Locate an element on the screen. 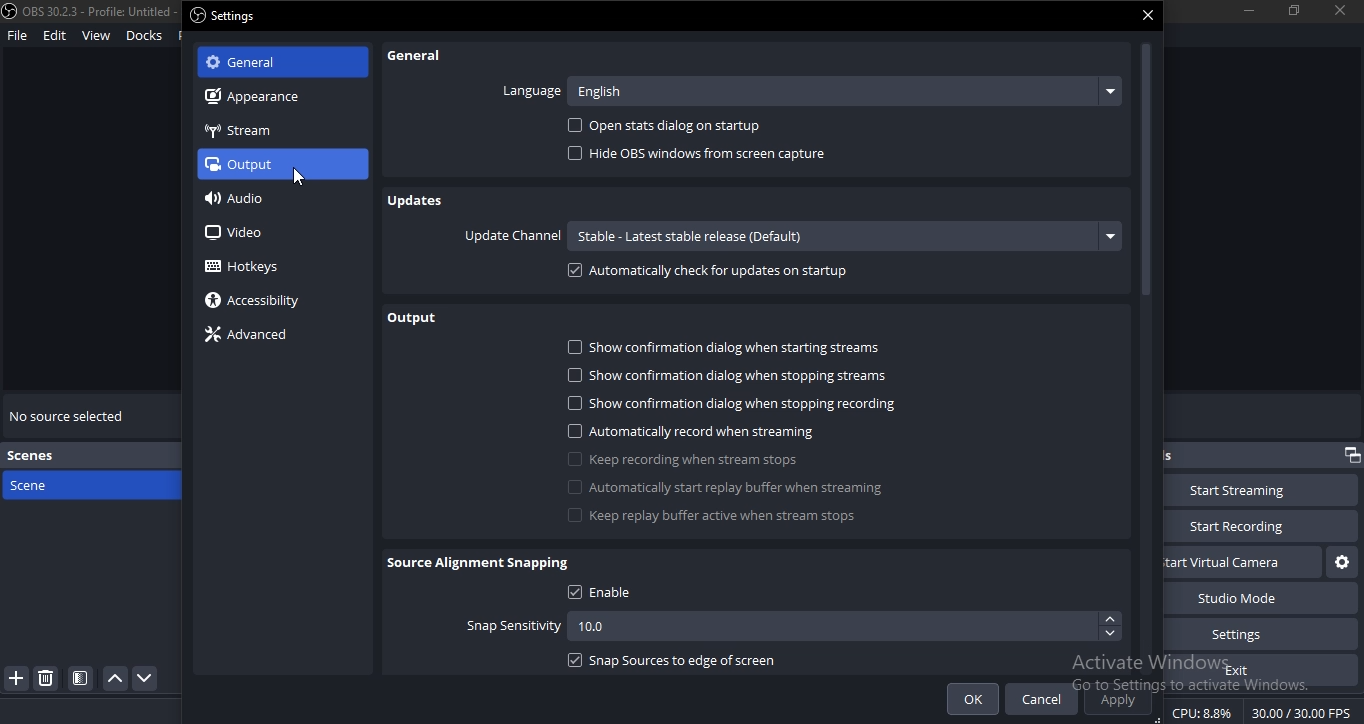 The width and height of the screenshot is (1364, 724). keep recording when stream stops is located at coordinates (691, 460).